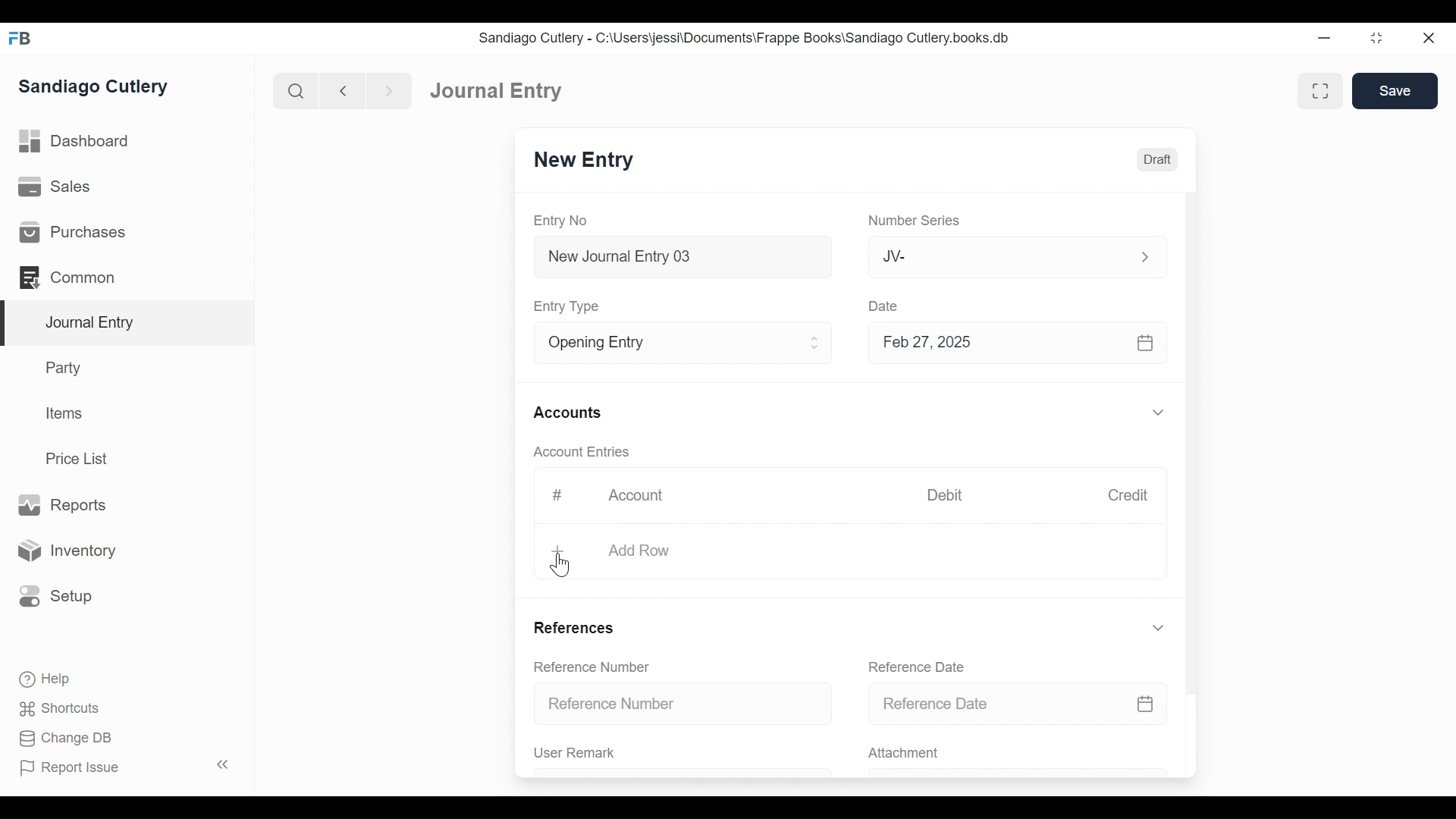  What do you see at coordinates (560, 221) in the screenshot?
I see `Entry No` at bounding box center [560, 221].